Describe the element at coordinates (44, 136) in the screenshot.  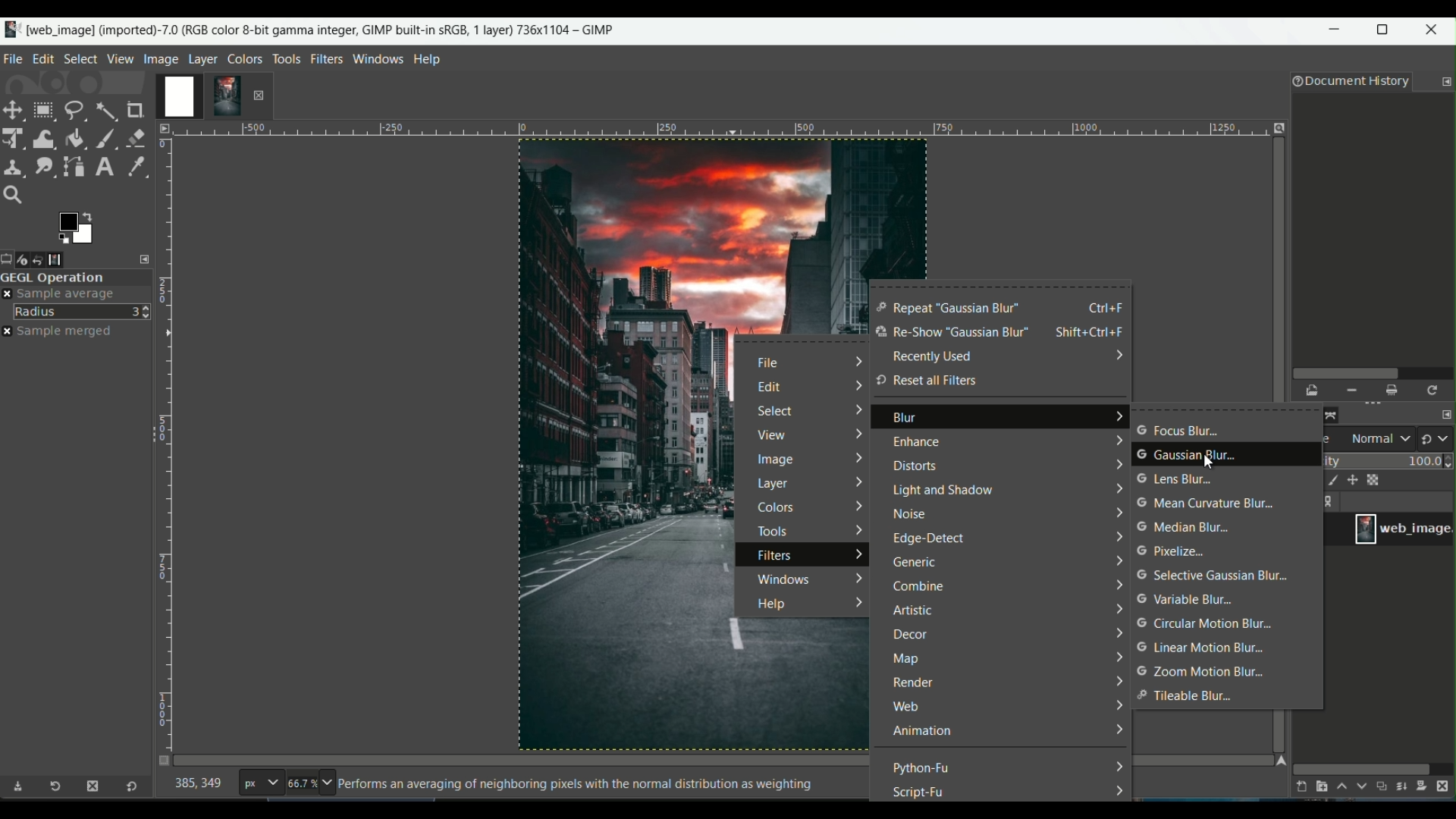
I see `transformation tool` at that location.